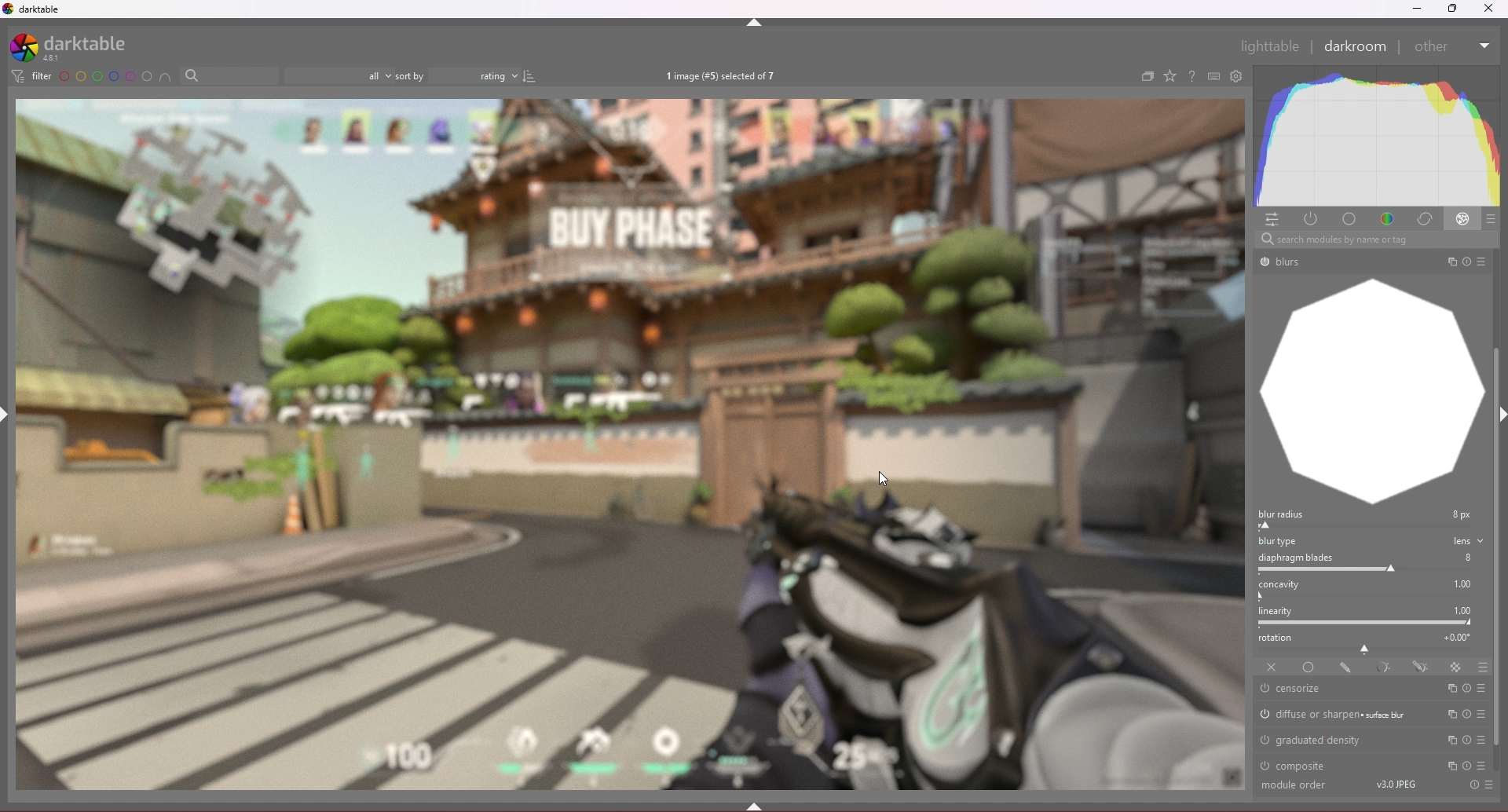 Image resolution: width=1508 pixels, height=812 pixels. Describe the element at coordinates (1272, 668) in the screenshot. I see `off` at that location.